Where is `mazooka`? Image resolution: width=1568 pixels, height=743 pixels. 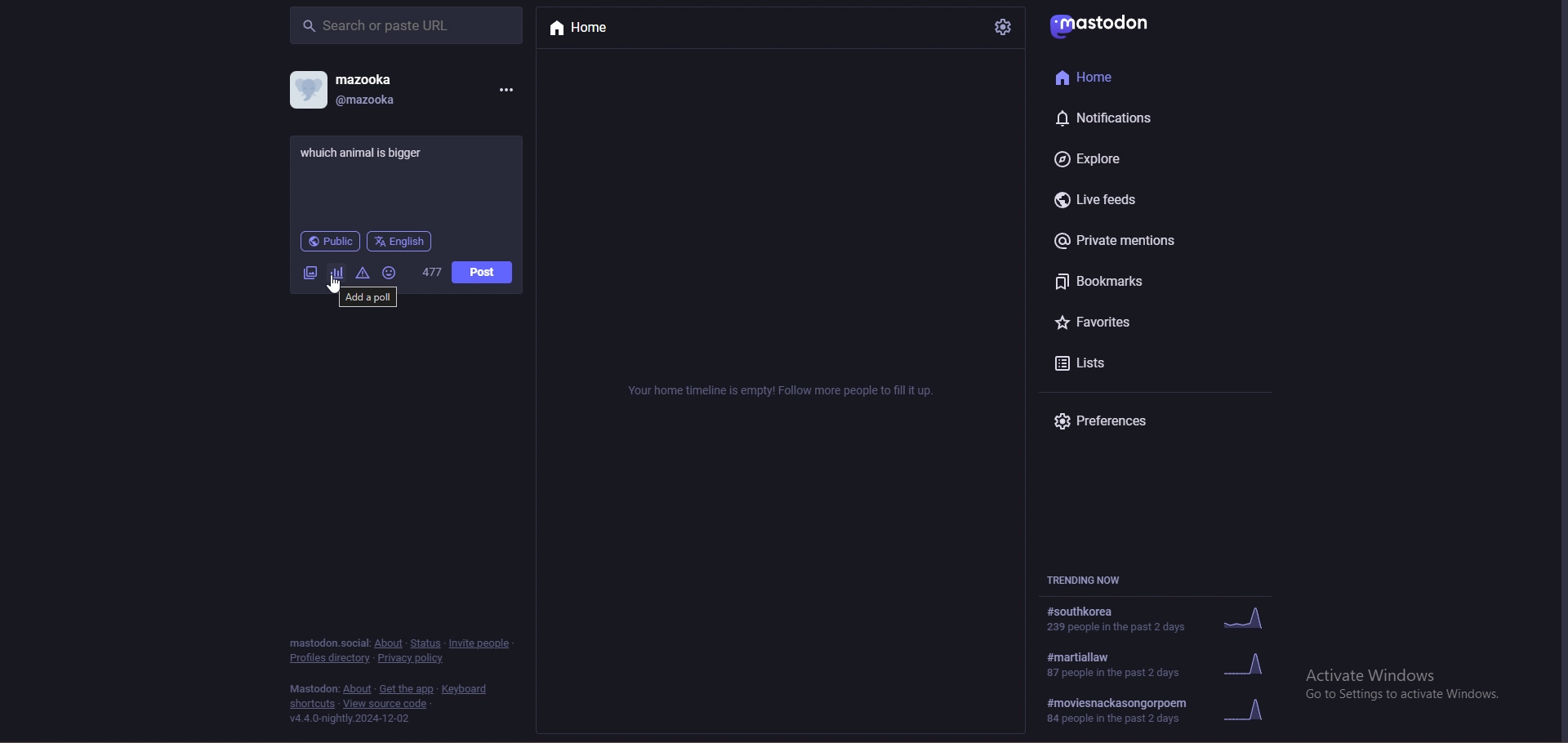
mazooka is located at coordinates (367, 78).